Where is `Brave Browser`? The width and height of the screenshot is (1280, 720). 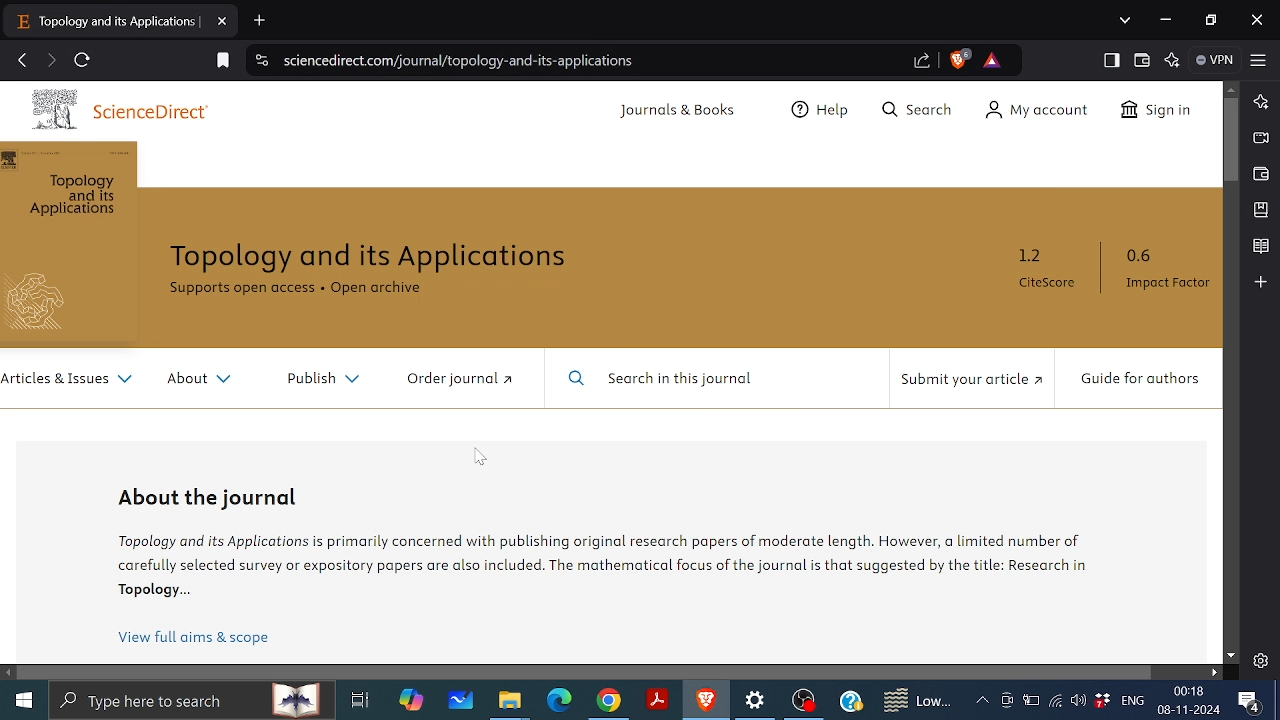 Brave Browser is located at coordinates (706, 701).